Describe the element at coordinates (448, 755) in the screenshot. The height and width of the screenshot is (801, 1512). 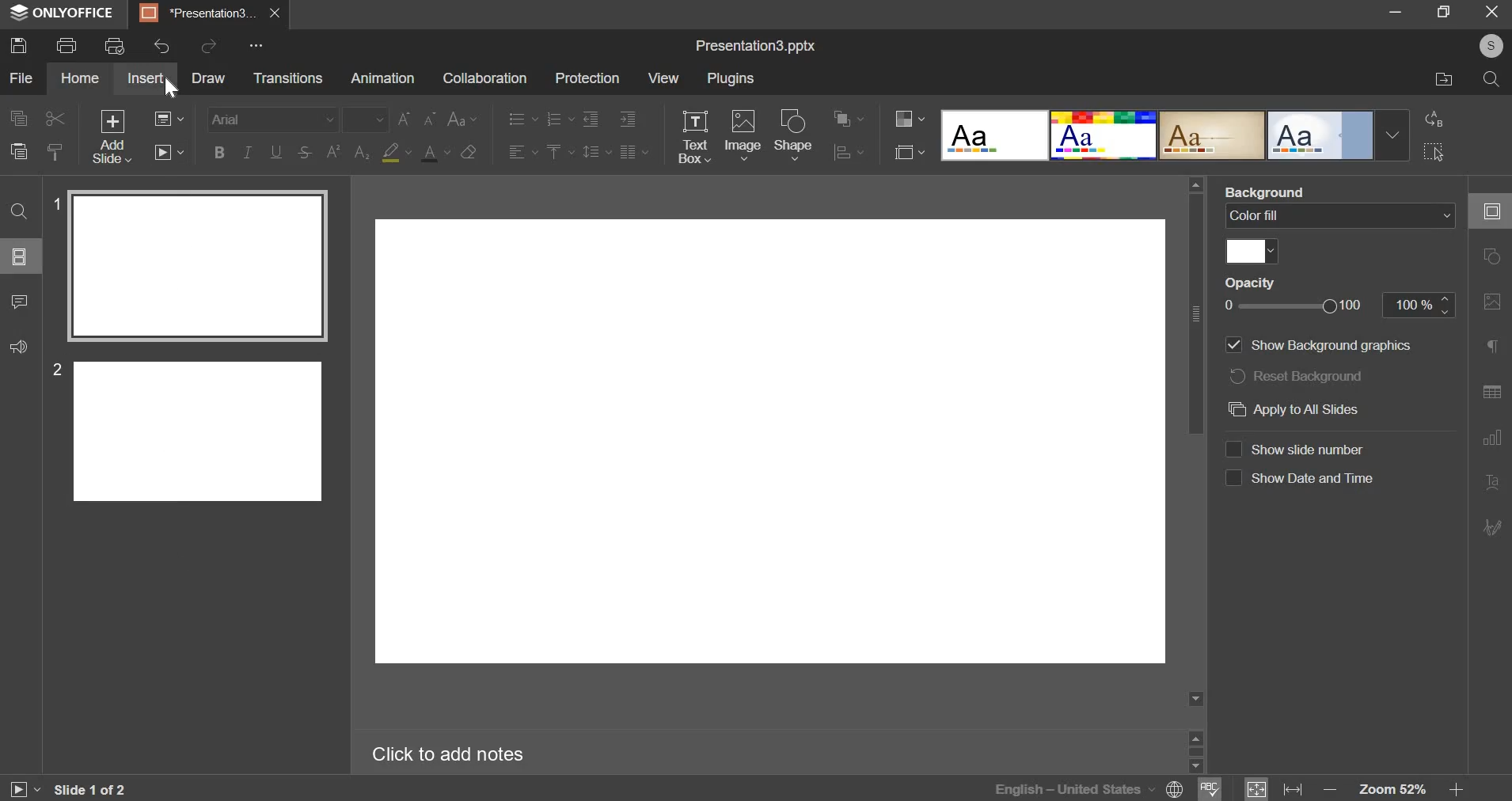
I see `click here to add notes` at that location.